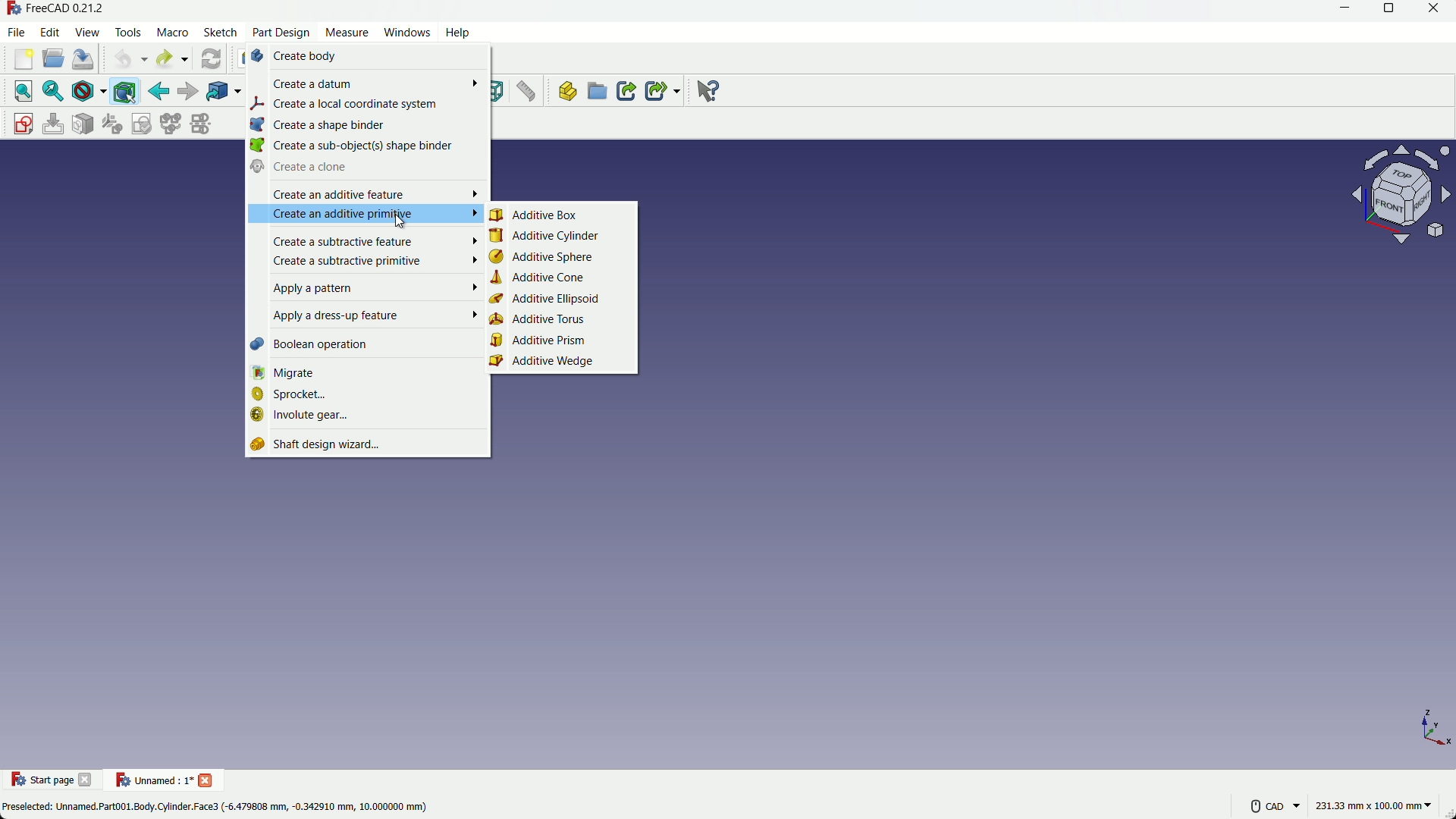 This screenshot has width=1456, height=819. What do you see at coordinates (366, 83) in the screenshot?
I see `create datum` at bounding box center [366, 83].